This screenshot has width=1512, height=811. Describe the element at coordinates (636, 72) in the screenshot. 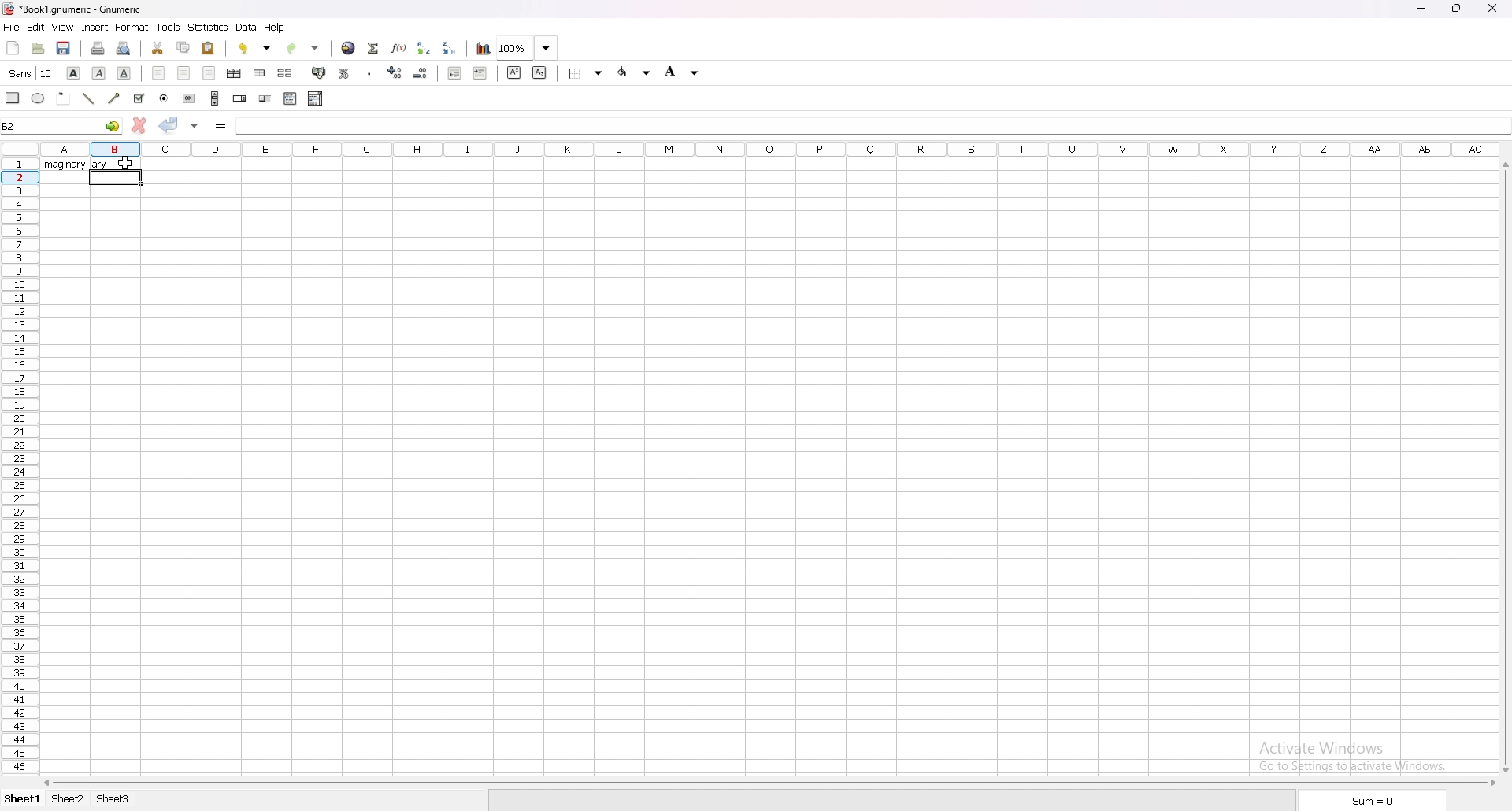

I see `foreground` at that location.